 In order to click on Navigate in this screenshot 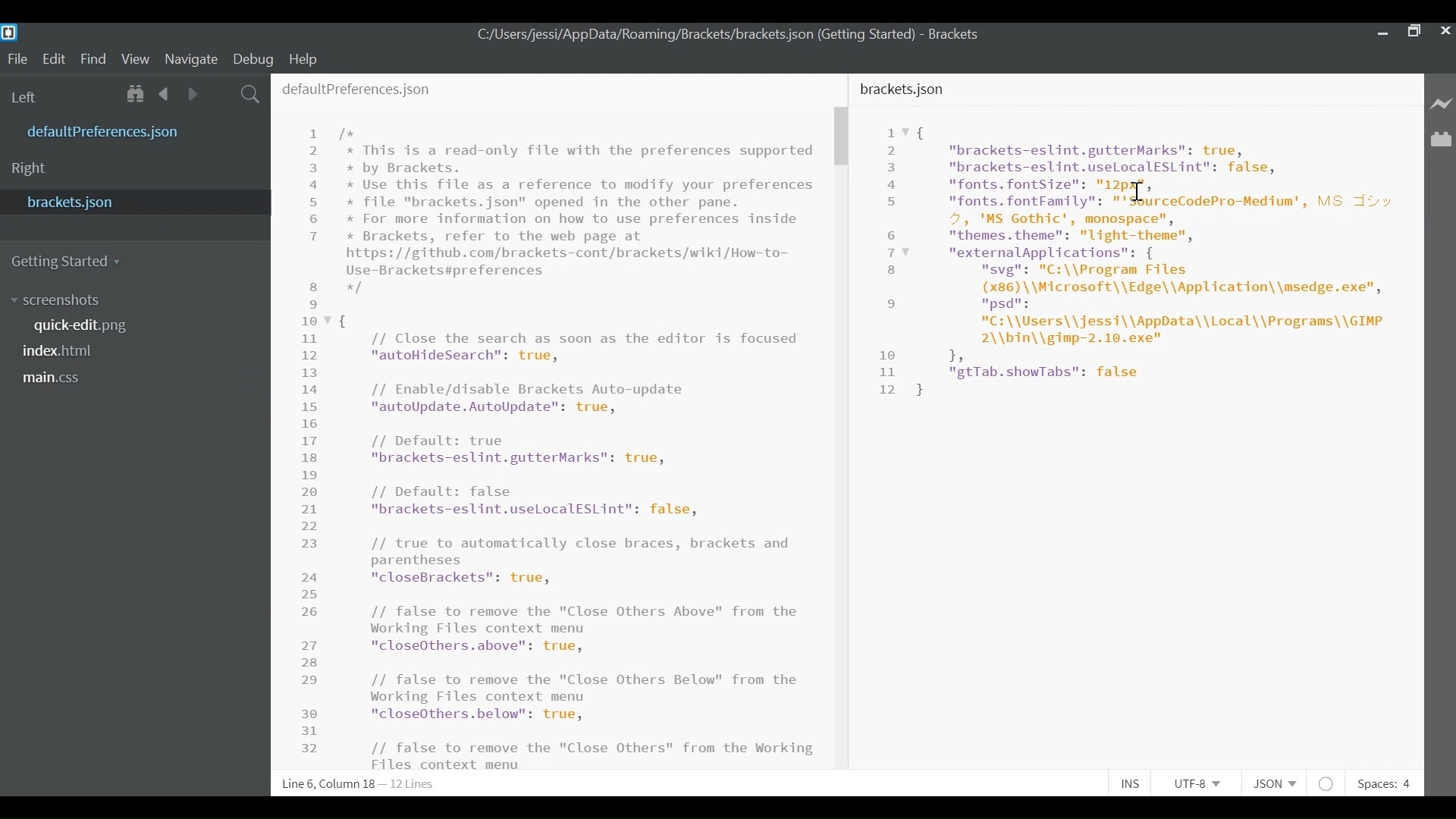, I will do `click(190, 59)`.